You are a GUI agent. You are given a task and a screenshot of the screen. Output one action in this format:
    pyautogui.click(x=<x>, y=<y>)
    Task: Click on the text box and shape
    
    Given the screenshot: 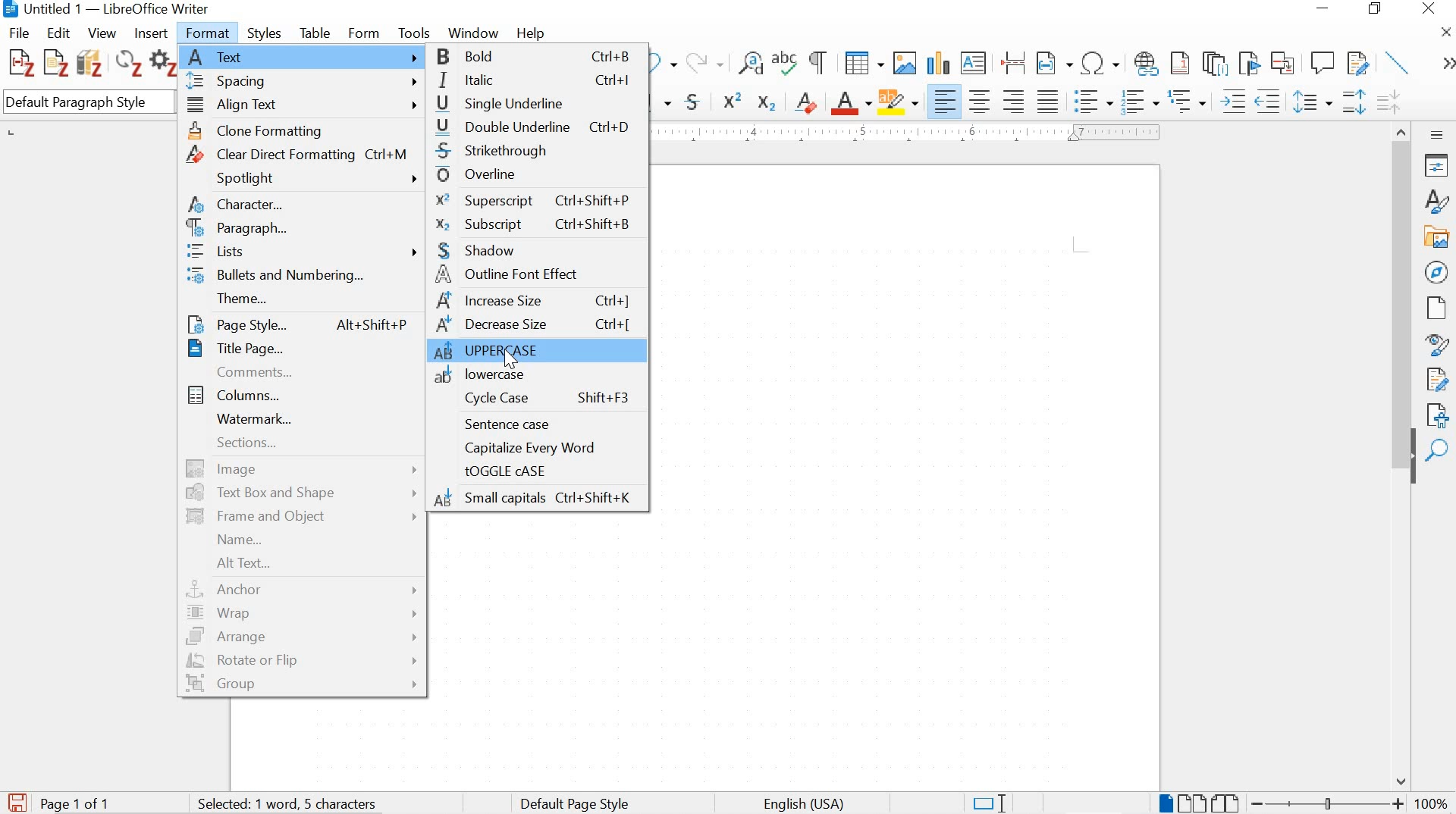 What is the action you would take?
    pyautogui.click(x=304, y=493)
    